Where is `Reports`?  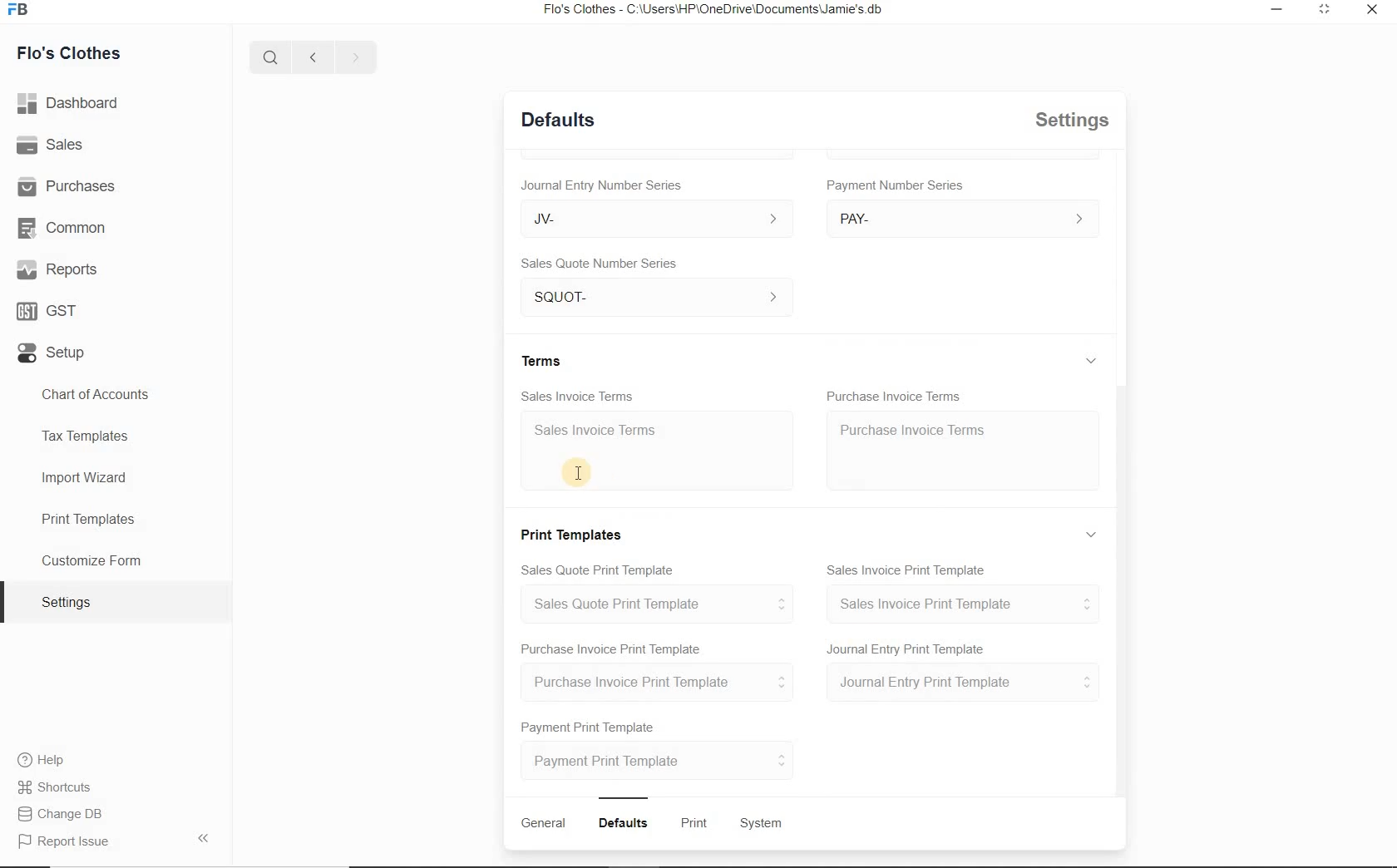
Reports is located at coordinates (56, 269).